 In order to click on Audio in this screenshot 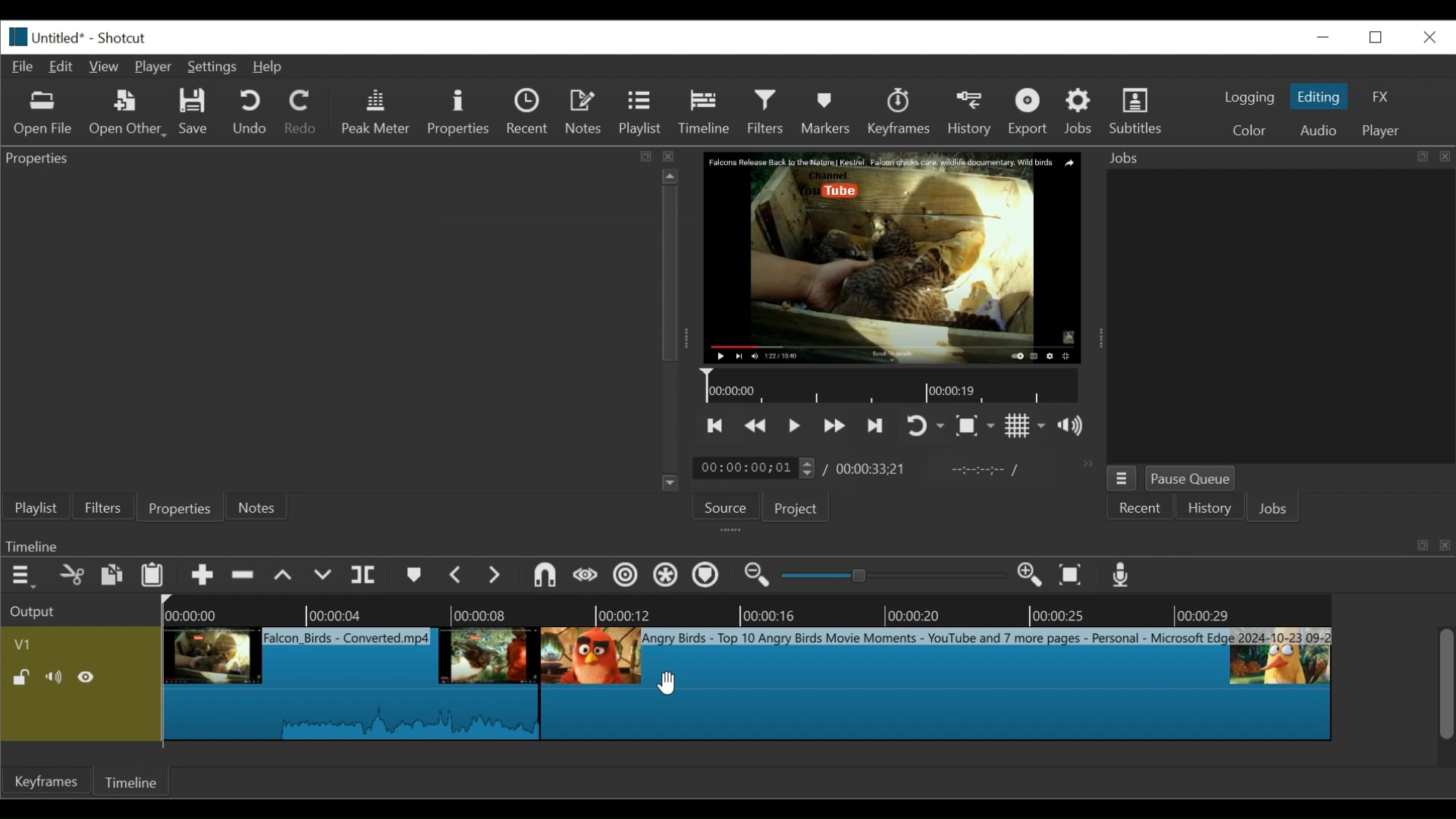, I will do `click(1317, 130)`.